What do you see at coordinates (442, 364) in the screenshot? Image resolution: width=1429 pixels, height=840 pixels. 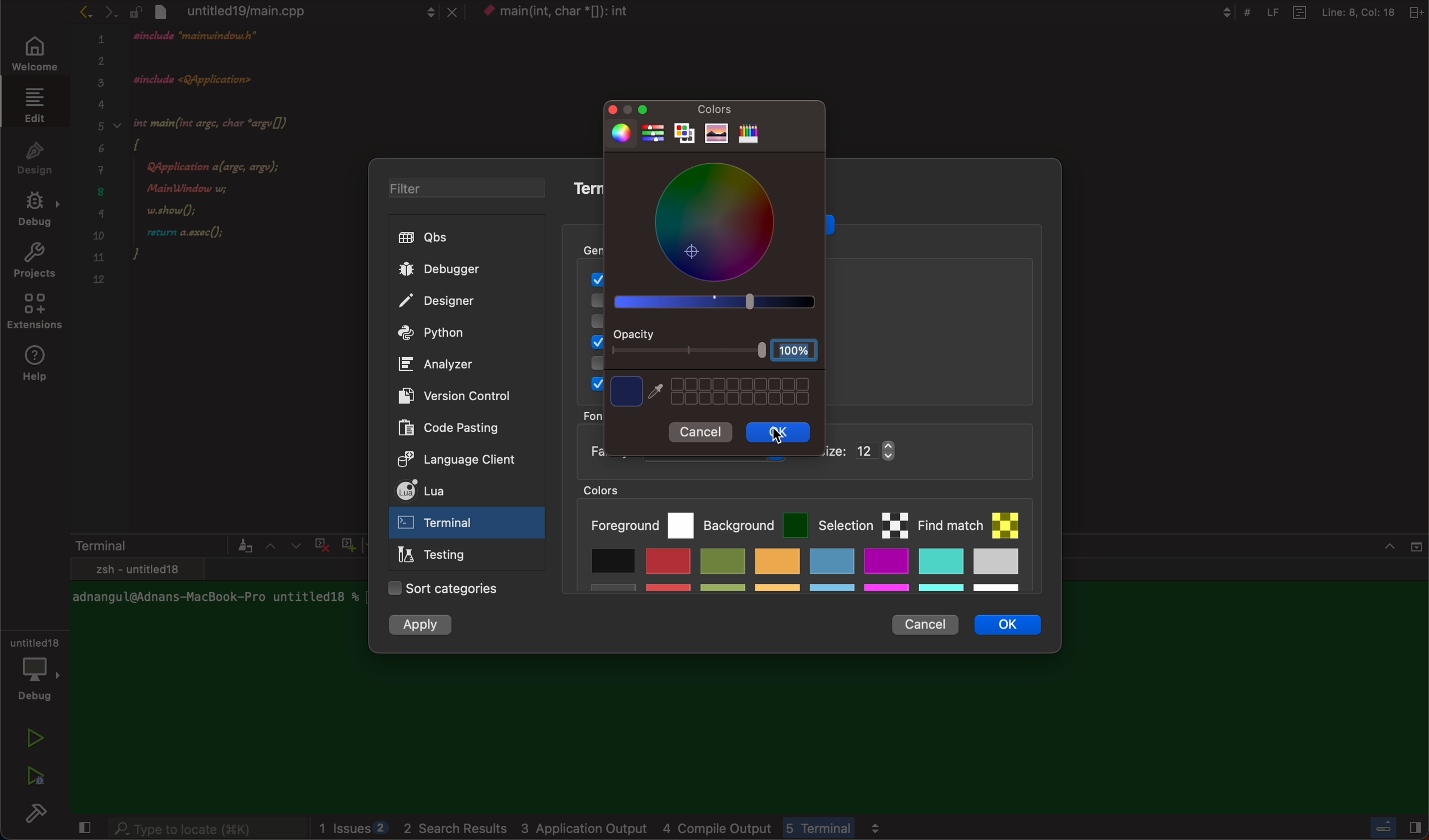 I see `analyzer` at bounding box center [442, 364].